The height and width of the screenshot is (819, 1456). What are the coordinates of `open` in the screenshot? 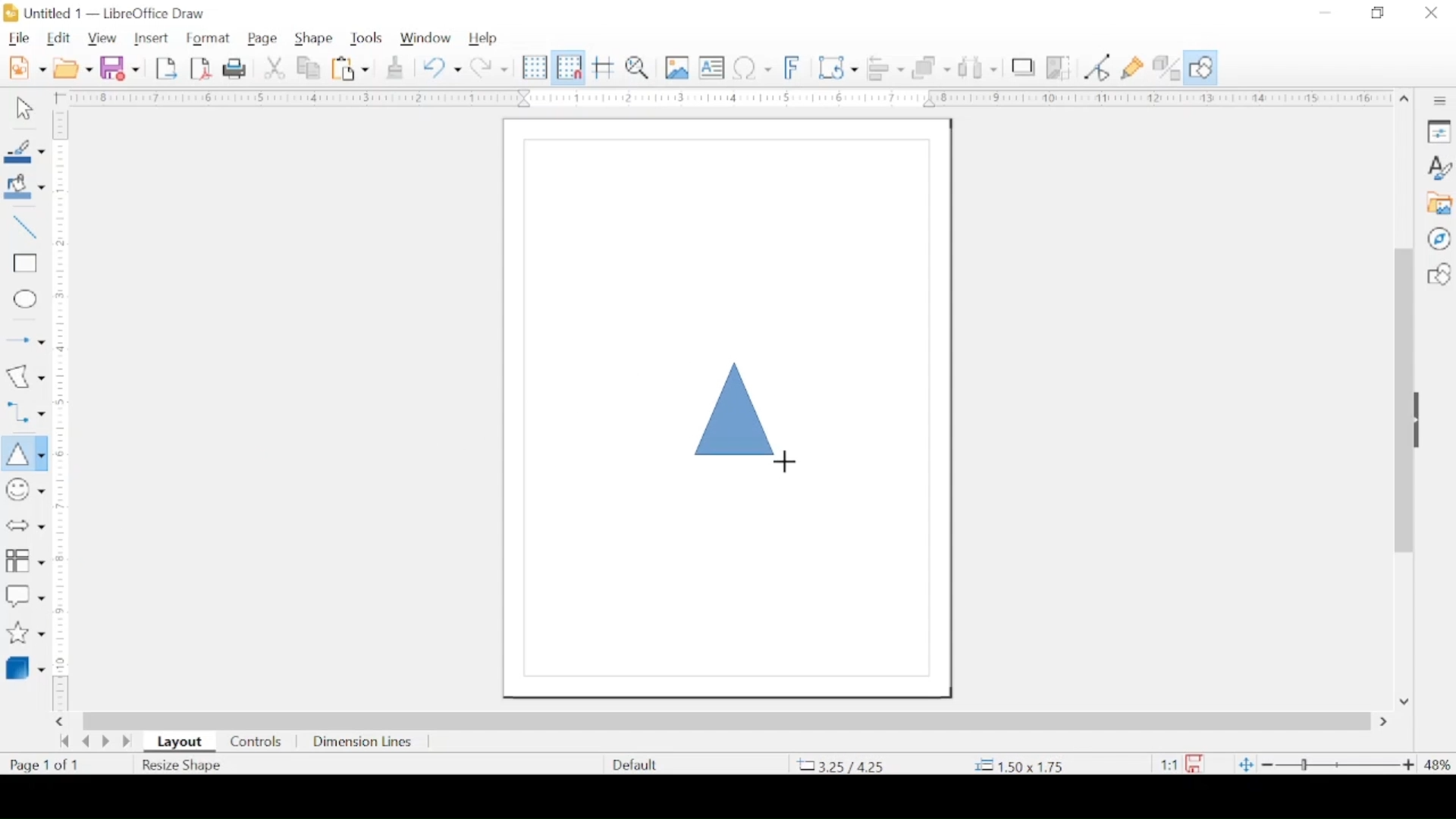 It's located at (73, 68).